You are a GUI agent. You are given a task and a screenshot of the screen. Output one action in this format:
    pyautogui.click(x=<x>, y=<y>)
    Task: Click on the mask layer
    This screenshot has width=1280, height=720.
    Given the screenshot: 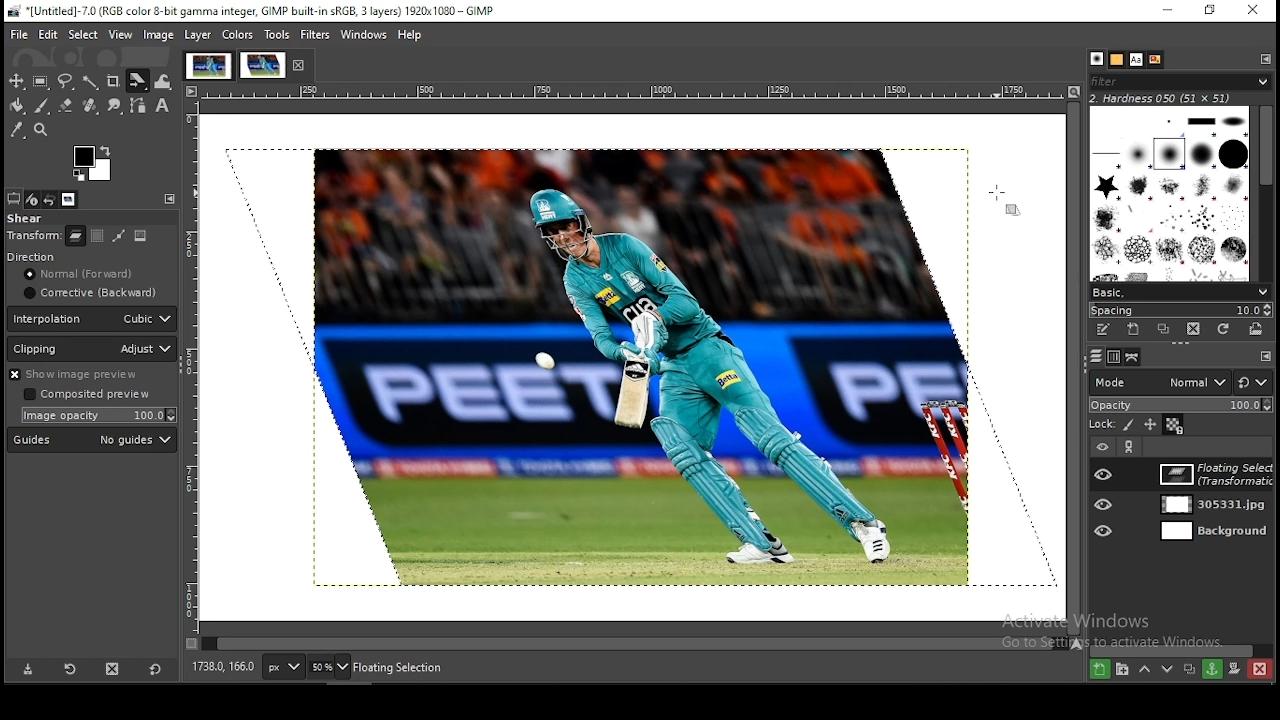 What is the action you would take?
    pyautogui.click(x=1234, y=669)
    